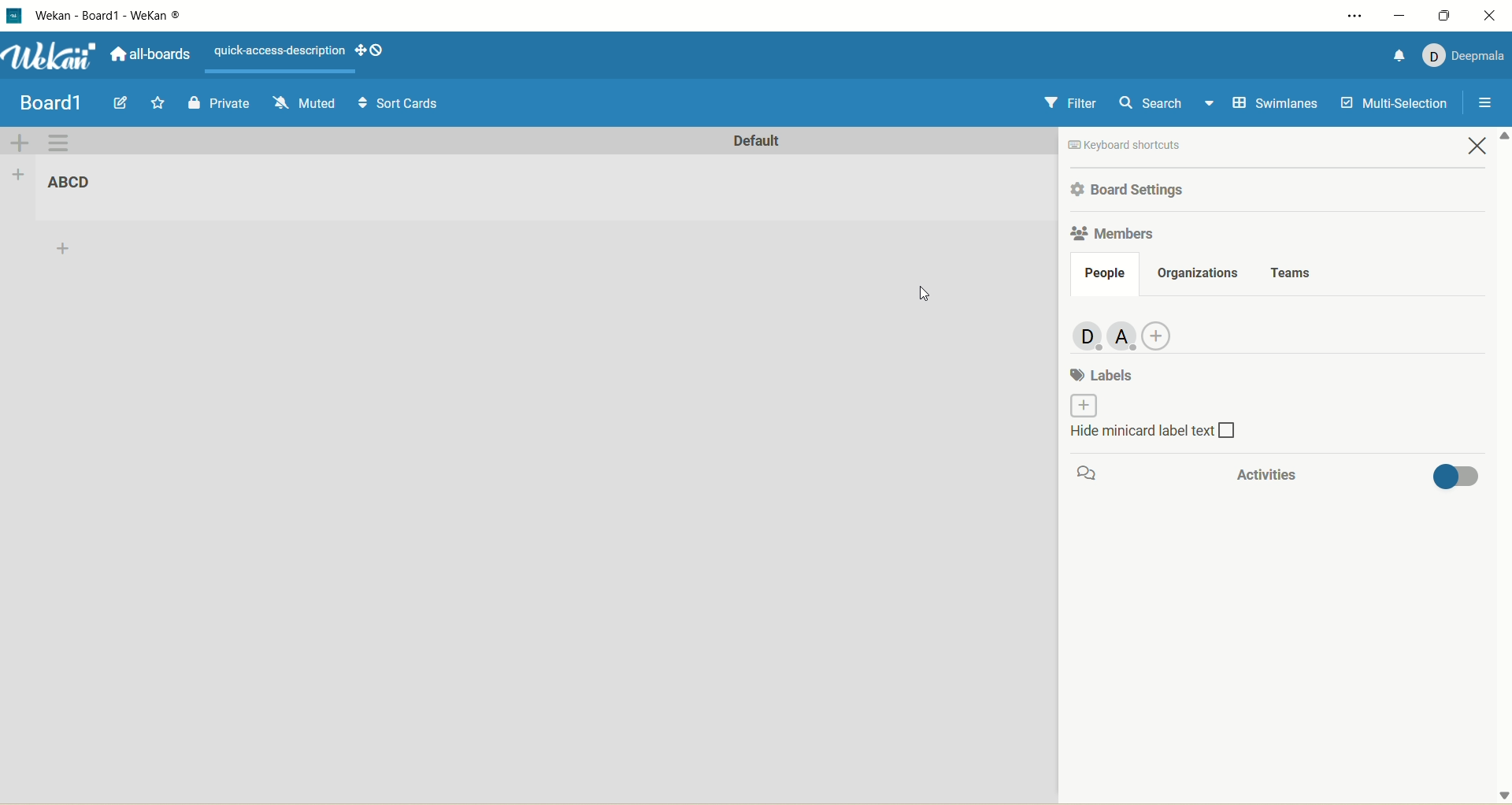  What do you see at coordinates (1092, 474) in the screenshot?
I see `comments` at bounding box center [1092, 474].